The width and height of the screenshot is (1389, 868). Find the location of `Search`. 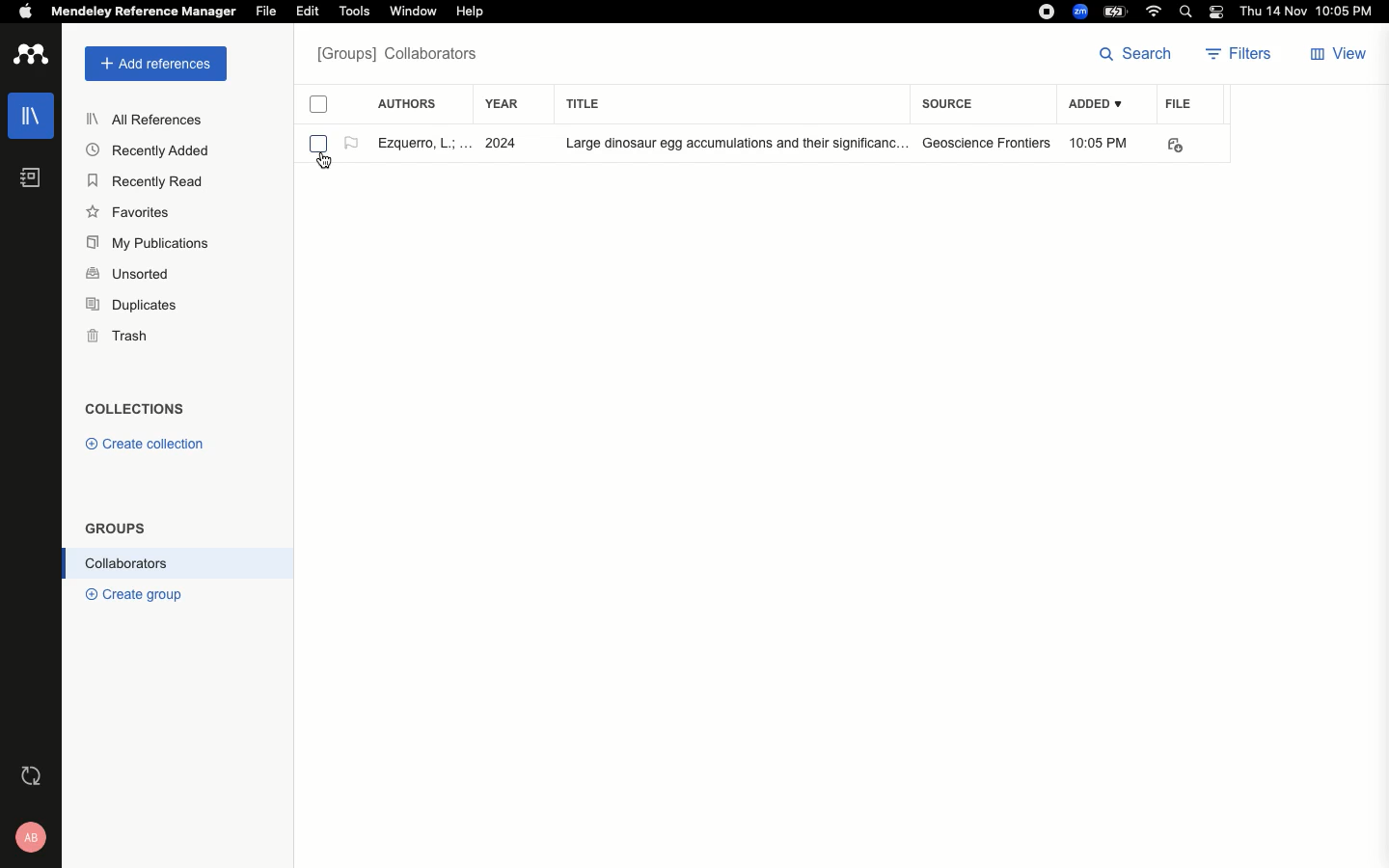

Search is located at coordinates (1135, 52).